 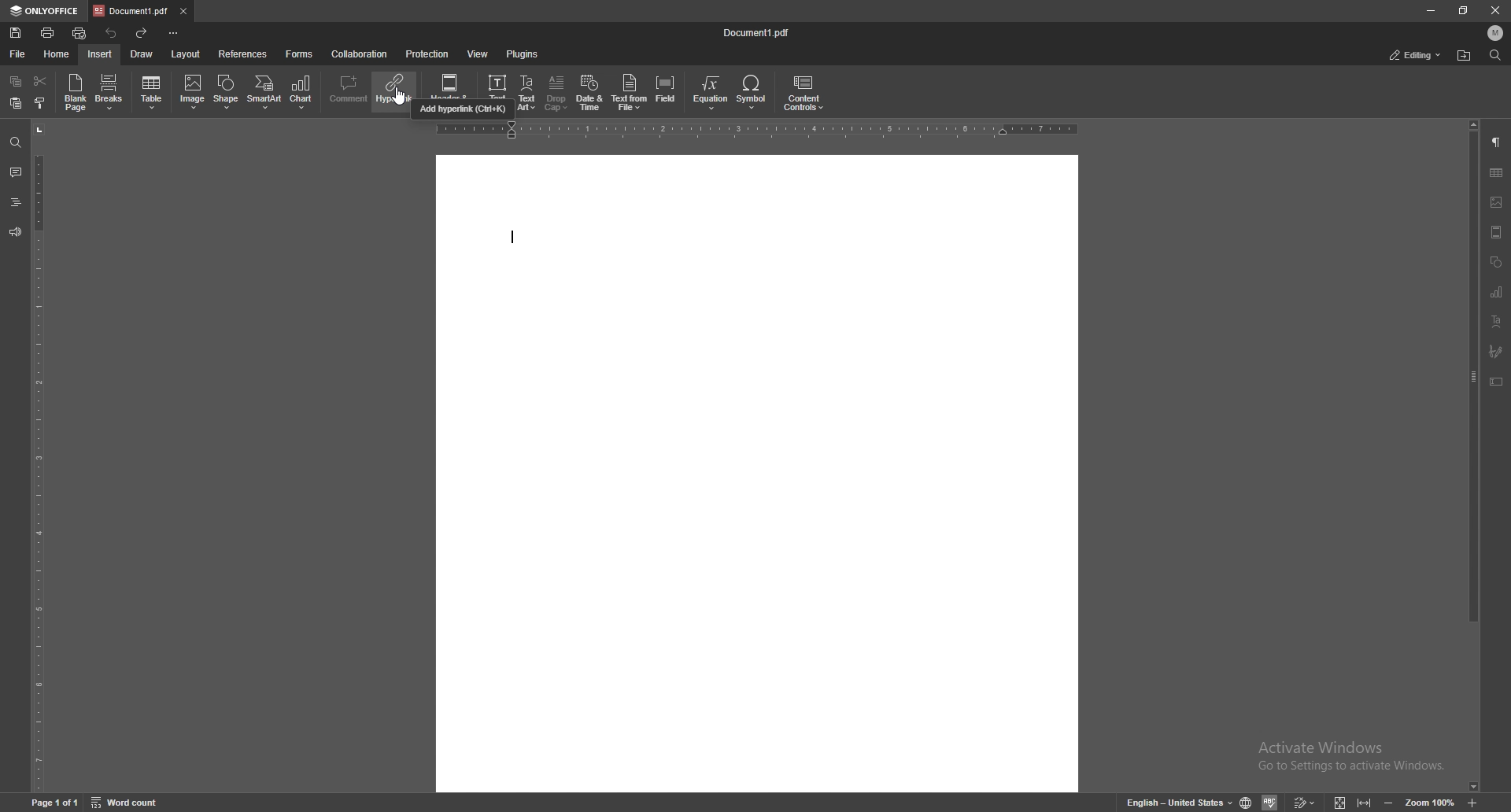 I want to click on zoom out, so click(x=1389, y=802).